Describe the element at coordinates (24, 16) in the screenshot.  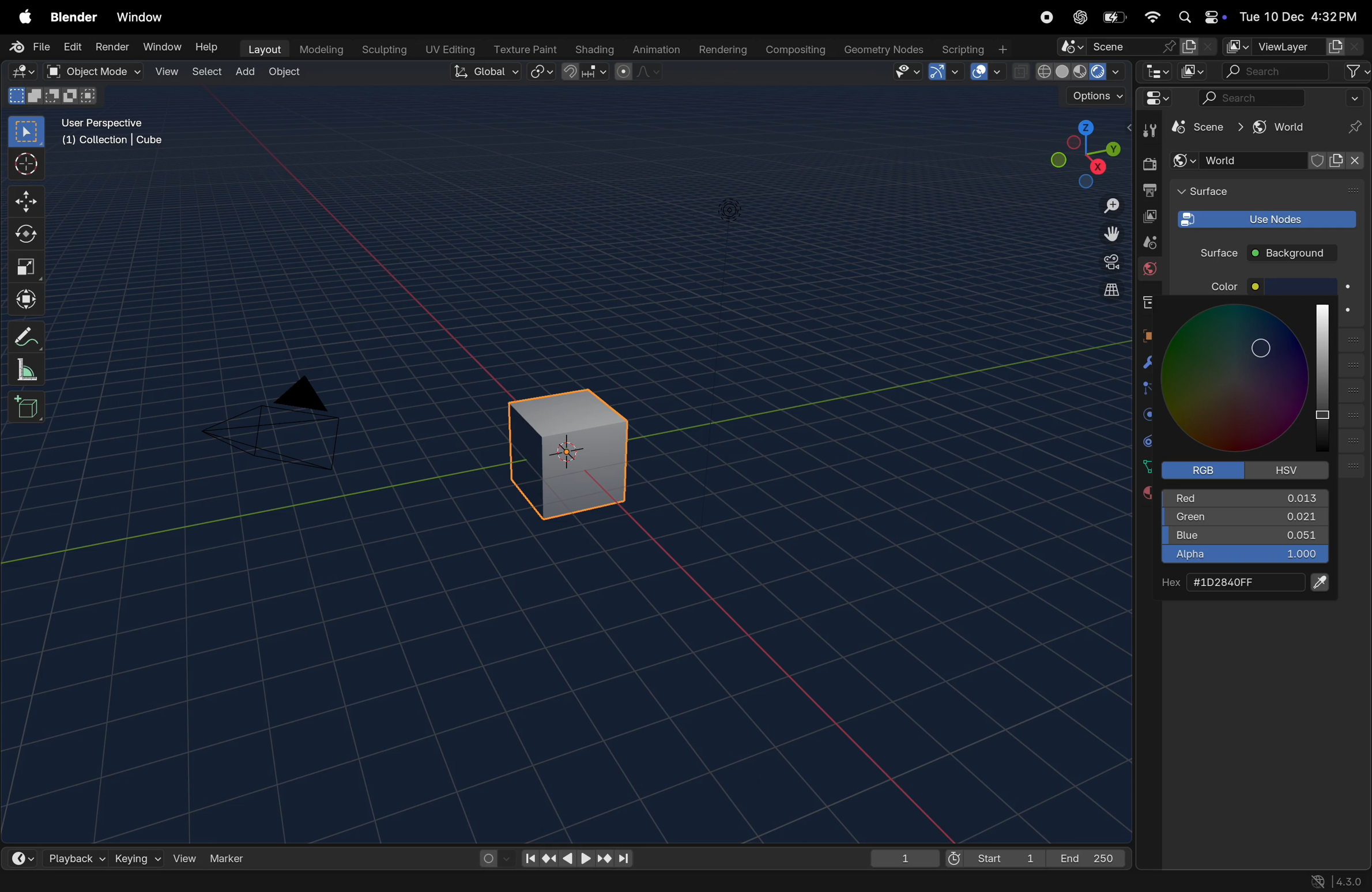
I see `Apple menu` at that location.